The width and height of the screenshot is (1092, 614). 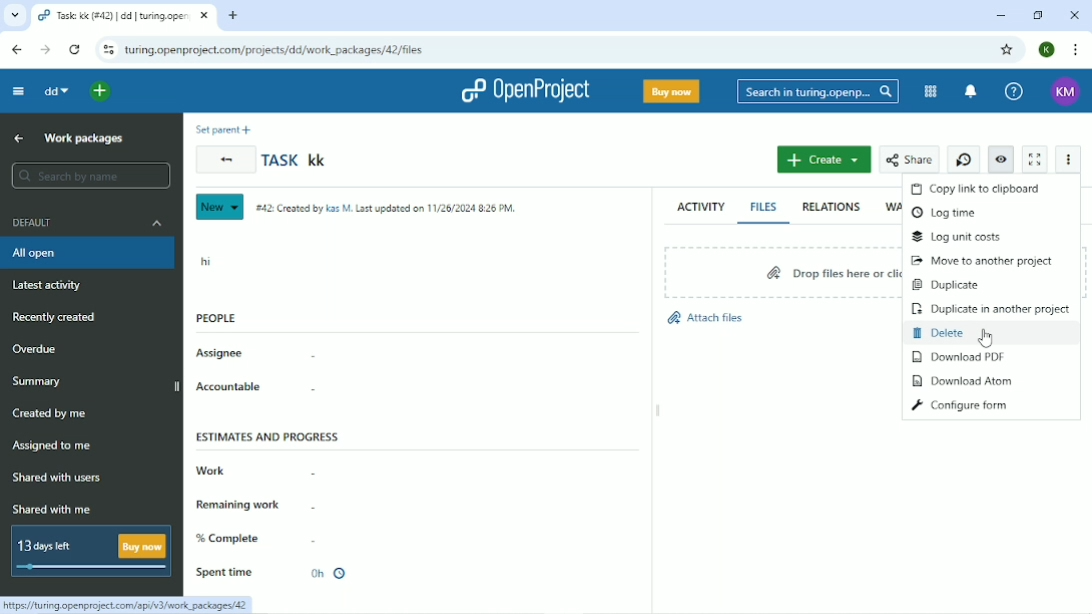 I want to click on Relations, so click(x=832, y=207).